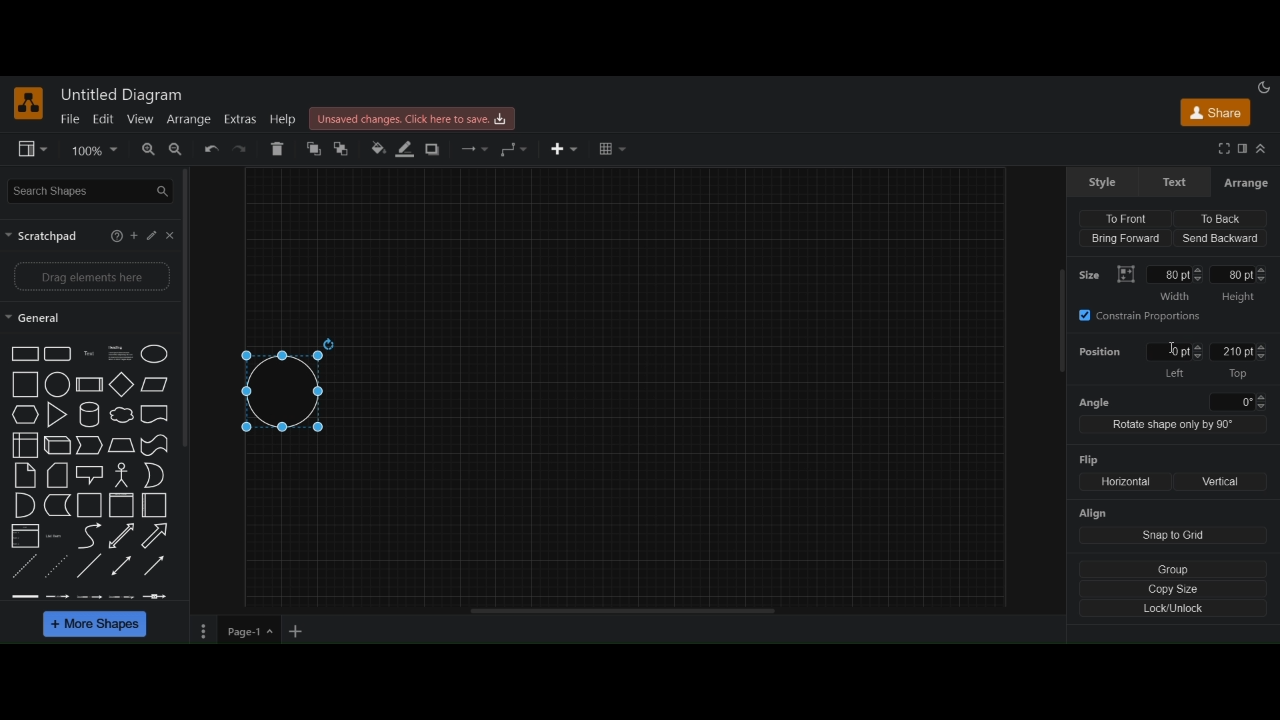 Image resolution: width=1280 pixels, height=720 pixels. What do you see at coordinates (297, 633) in the screenshot?
I see `insert page` at bounding box center [297, 633].